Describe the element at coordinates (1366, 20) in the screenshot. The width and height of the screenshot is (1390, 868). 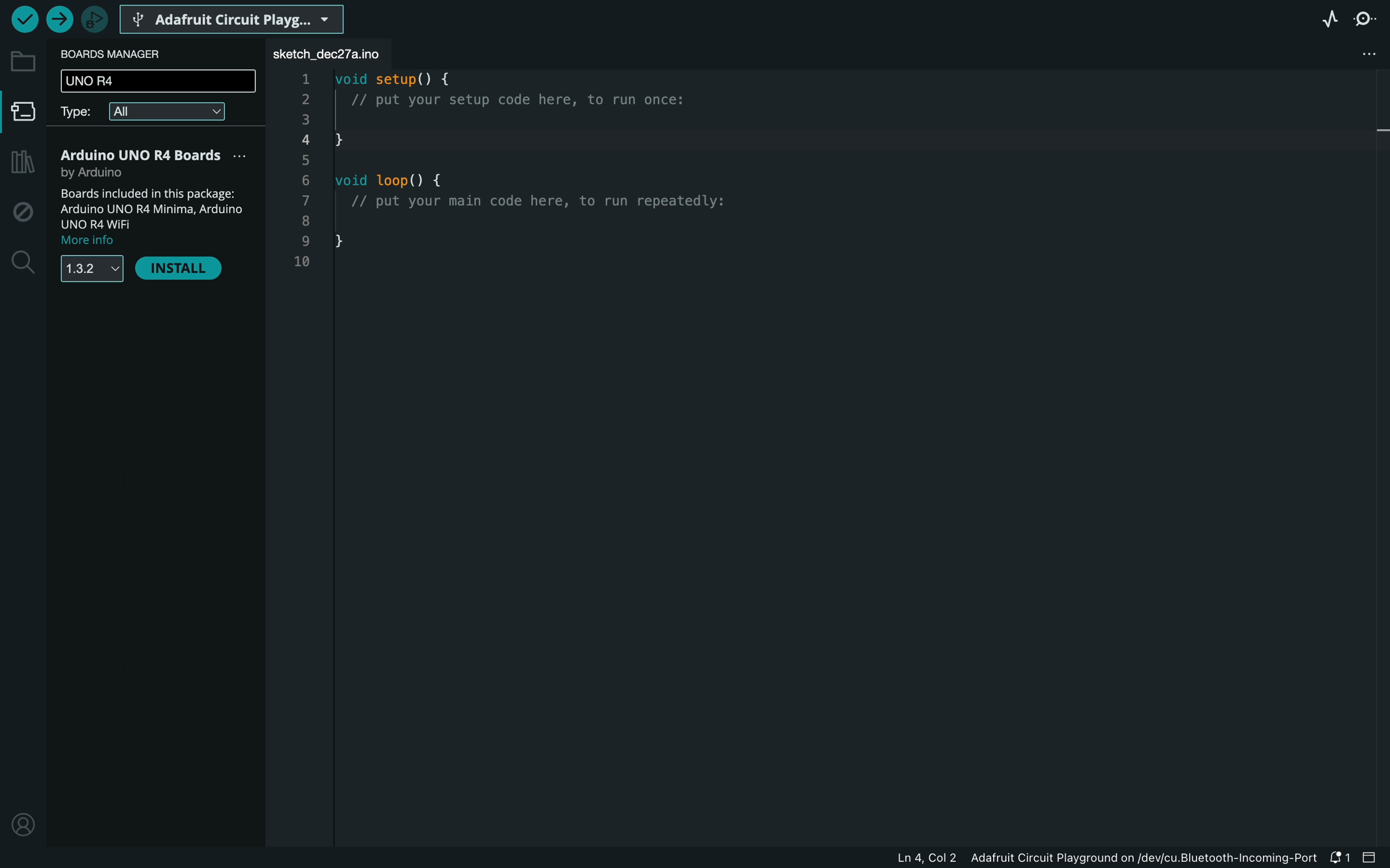
I see `serial monitor` at that location.